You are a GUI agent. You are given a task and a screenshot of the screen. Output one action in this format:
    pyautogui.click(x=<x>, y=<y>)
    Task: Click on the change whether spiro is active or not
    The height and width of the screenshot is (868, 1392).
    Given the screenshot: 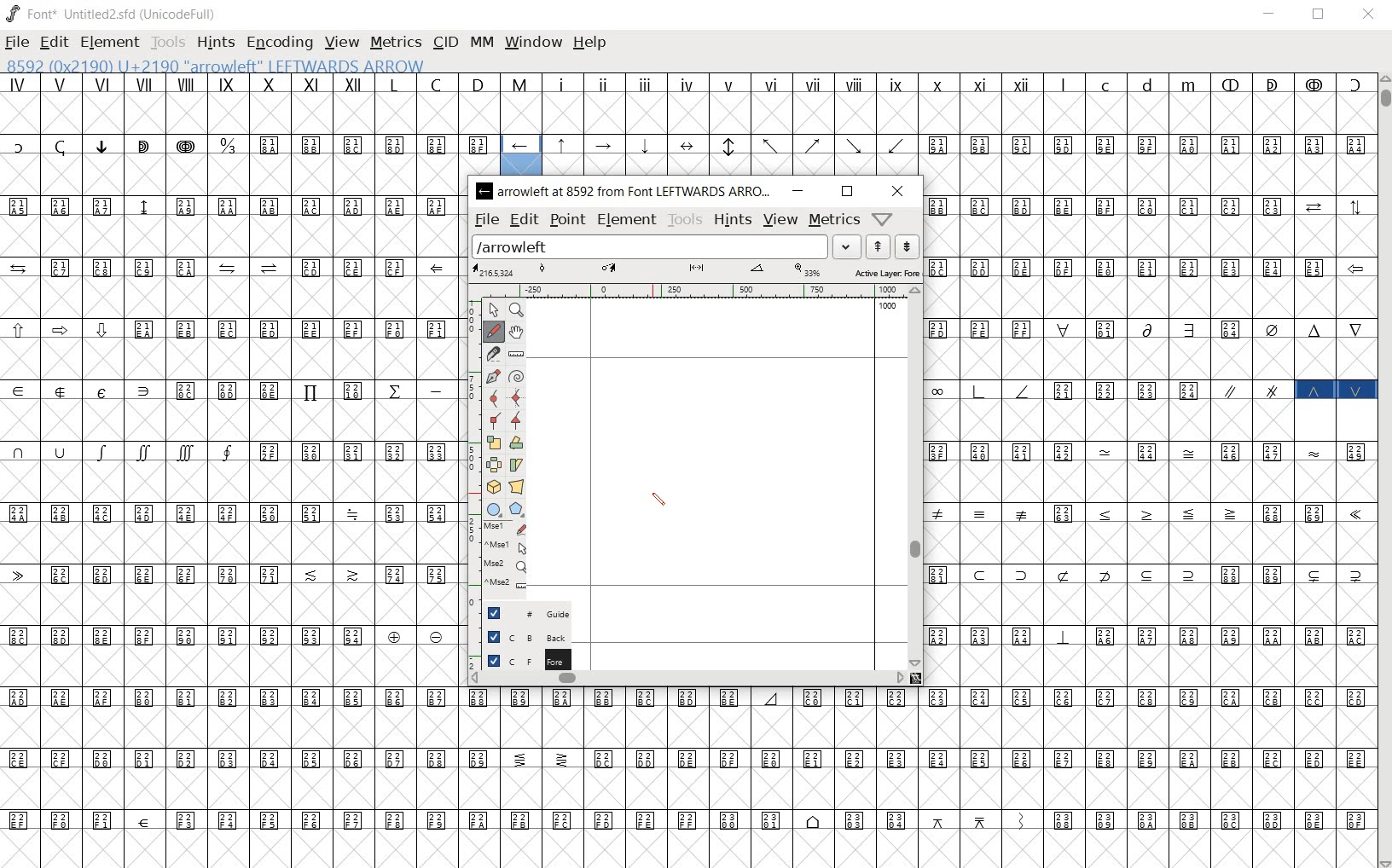 What is the action you would take?
    pyautogui.click(x=518, y=376)
    